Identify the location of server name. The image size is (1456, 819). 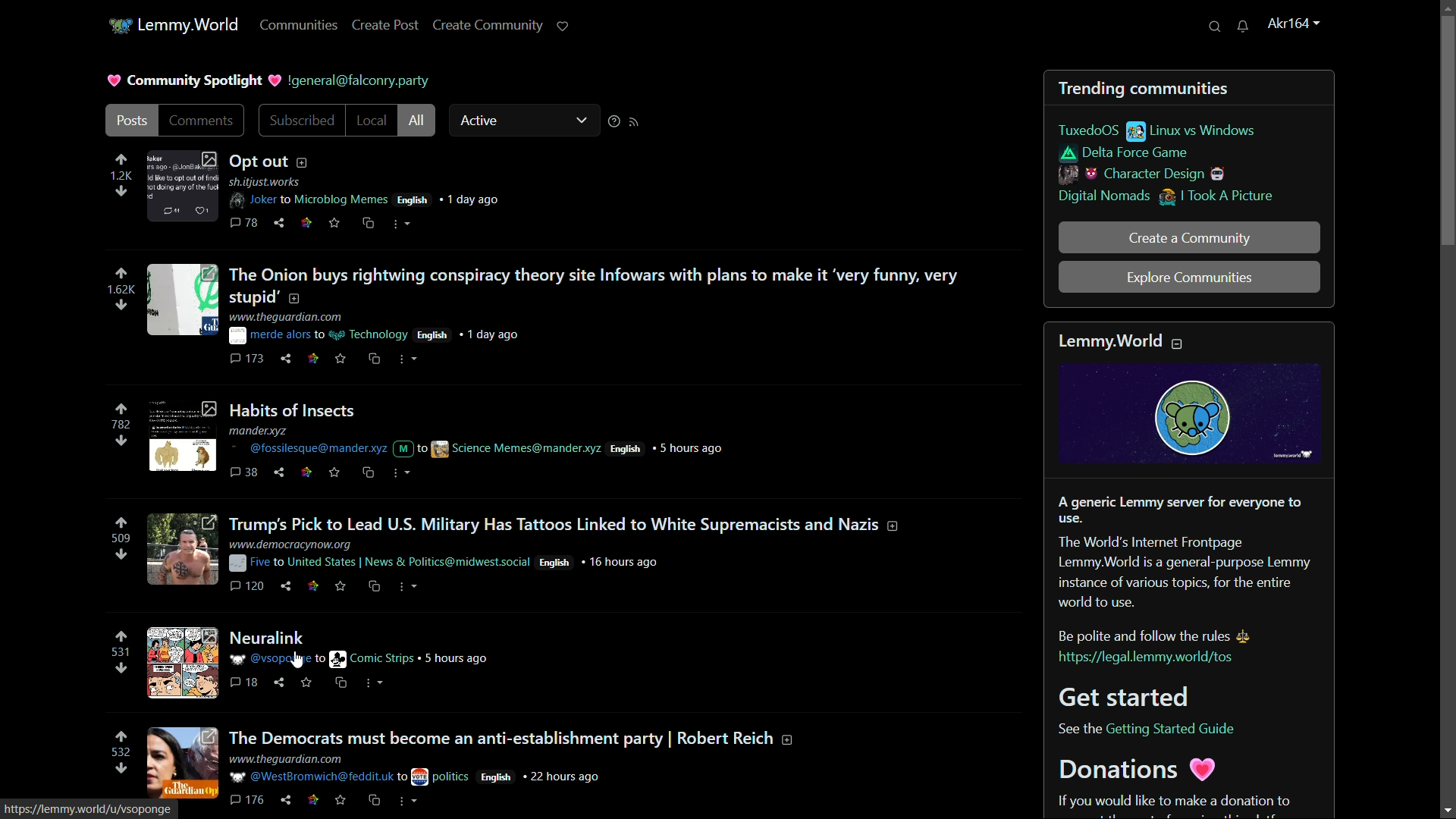
(188, 25).